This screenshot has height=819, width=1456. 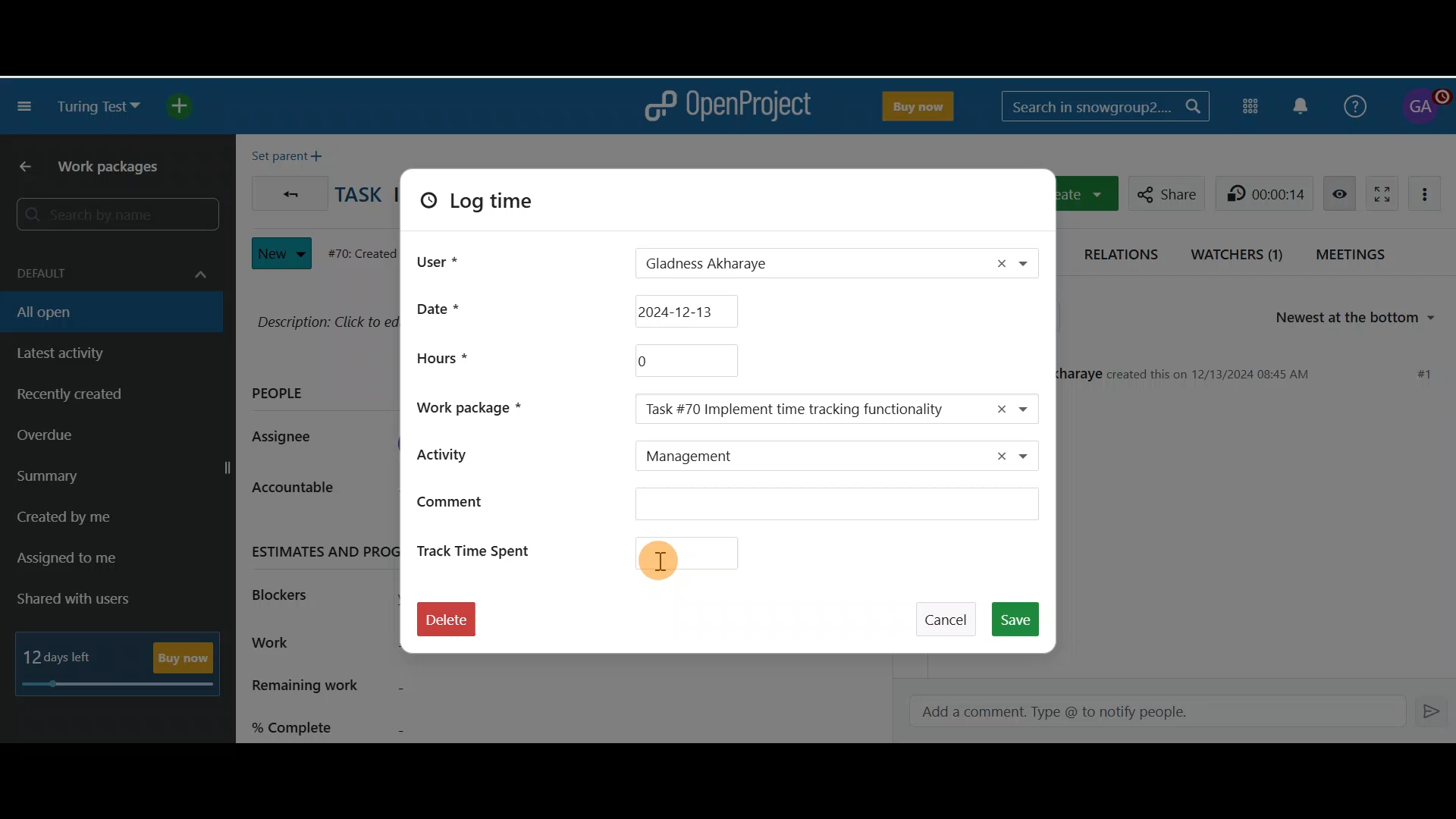 I want to click on 0, so click(x=684, y=360).